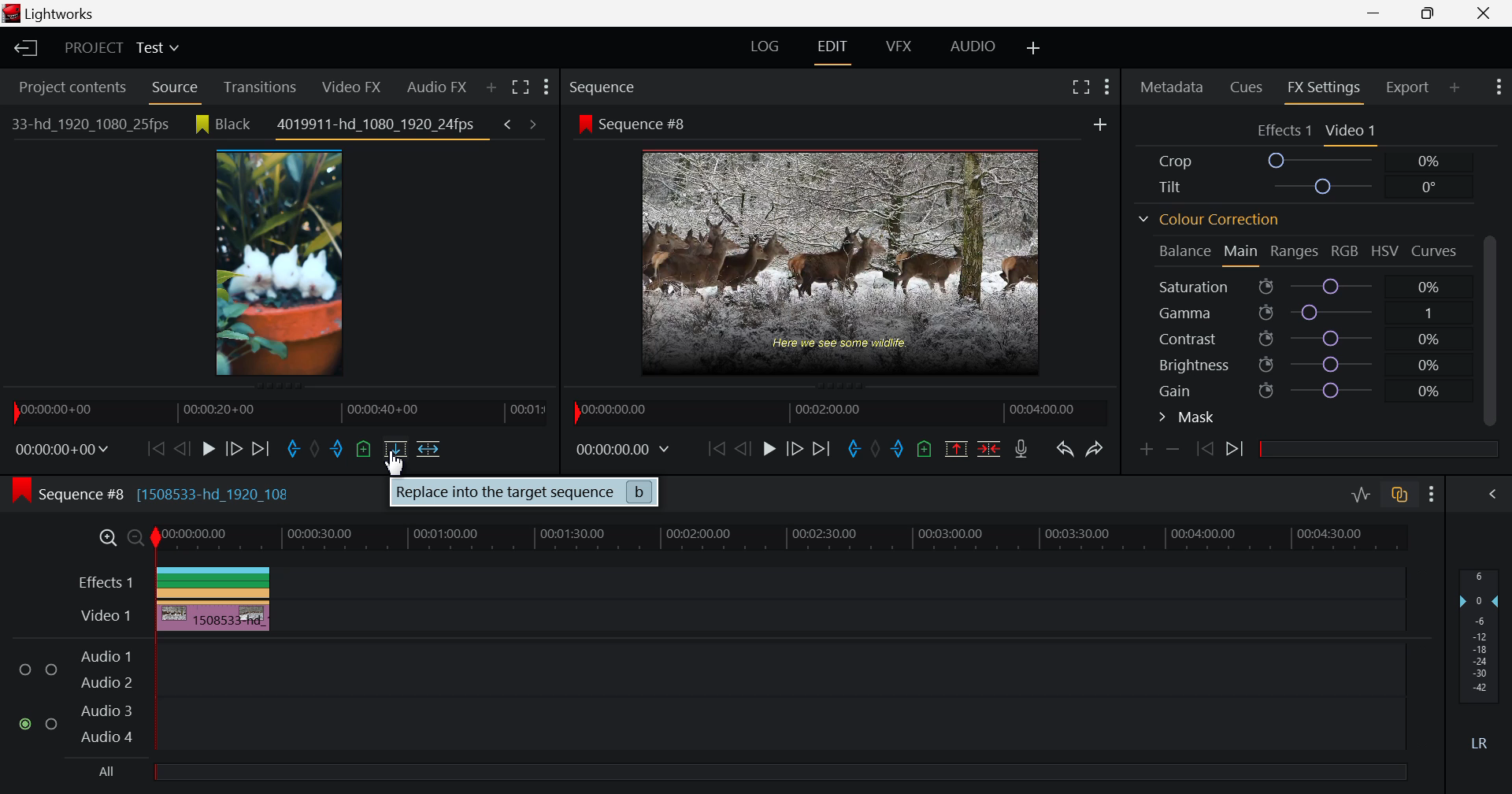  Describe the element at coordinates (1242, 253) in the screenshot. I see `Main Tab Open` at that location.